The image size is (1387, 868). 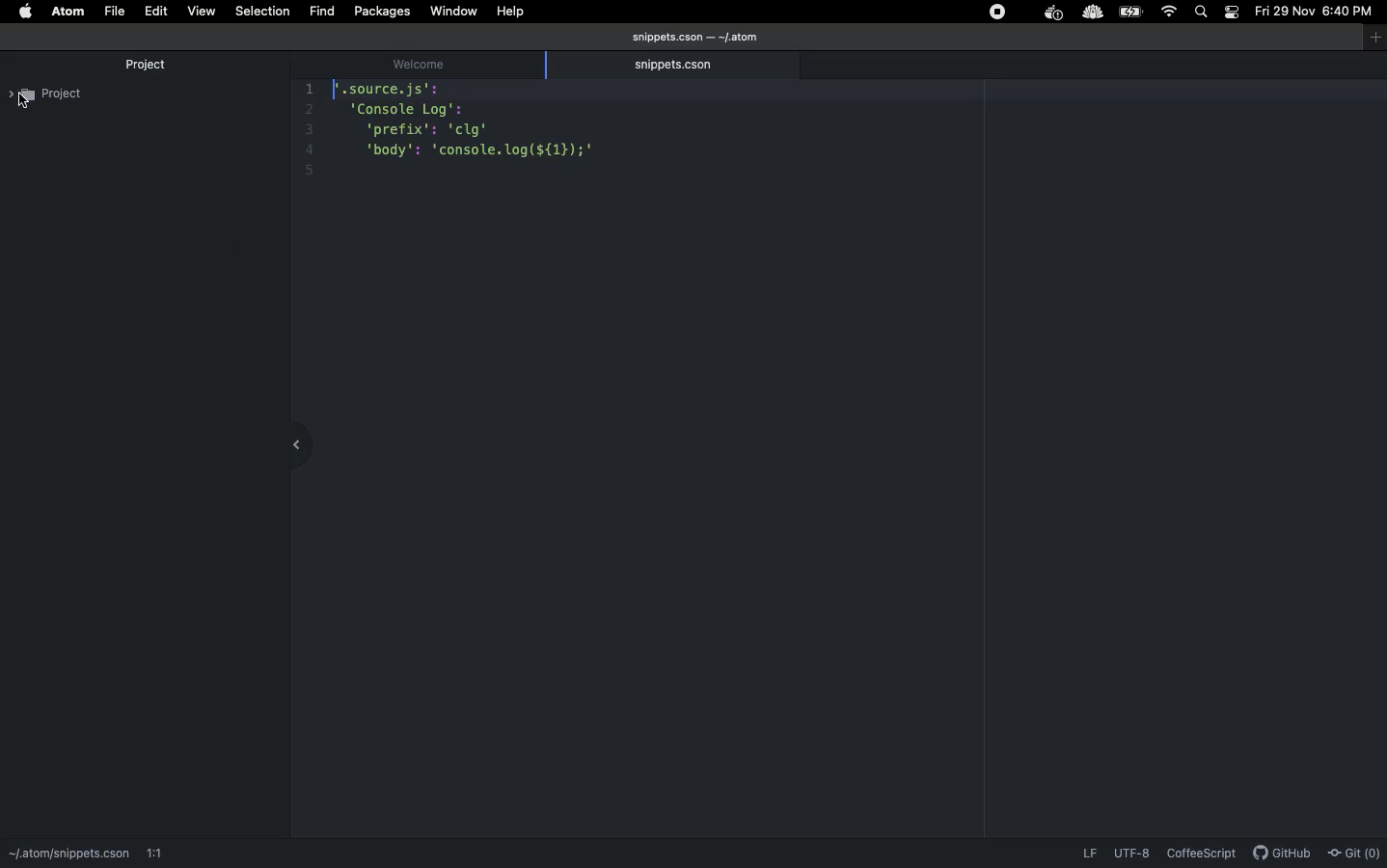 What do you see at coordinates (1355, 853) in the screenshot?
I see `Git` at bounding box center [1355, 853].